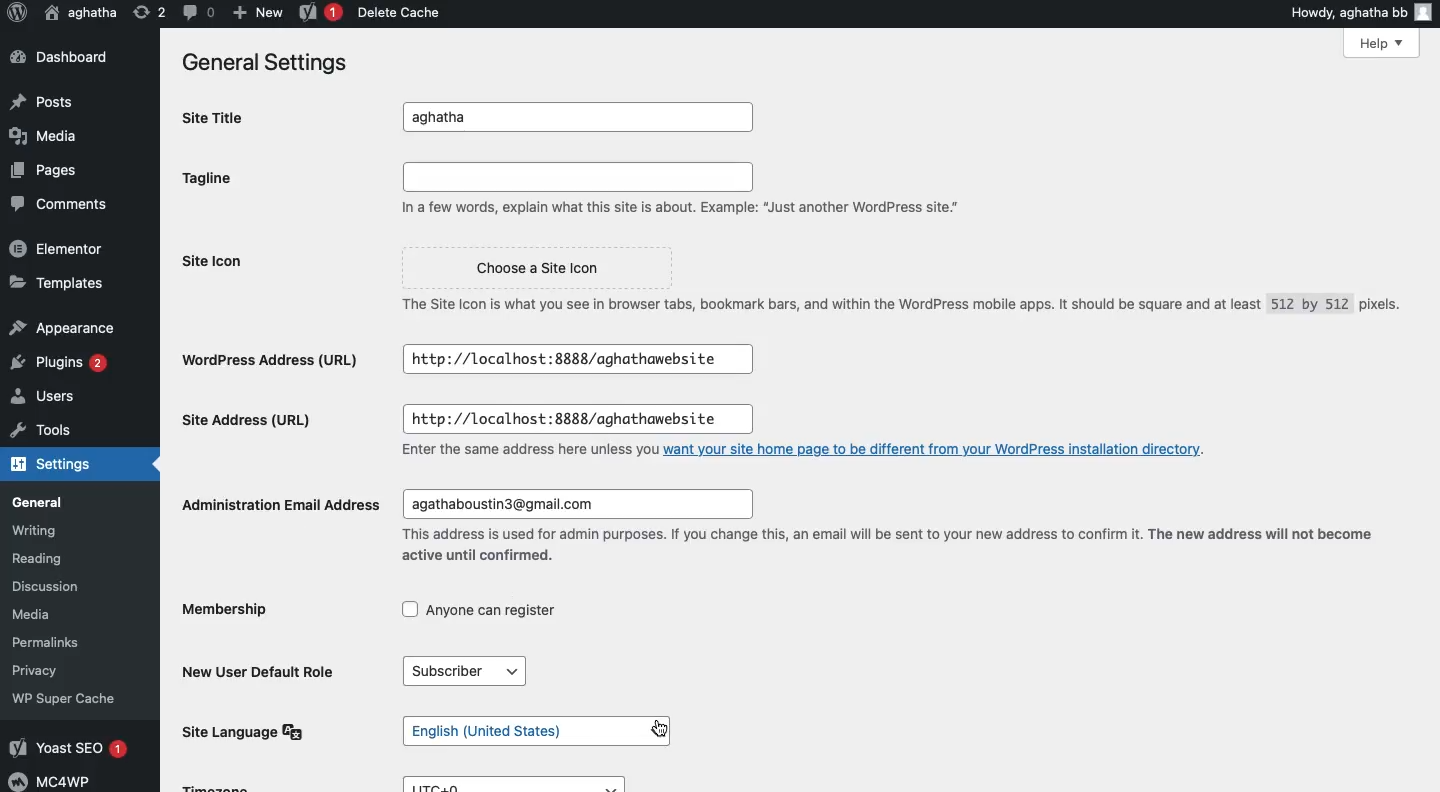  Describe the element at coordinates (60, 642) in the screenshot. I see `Permalinks` at that location.